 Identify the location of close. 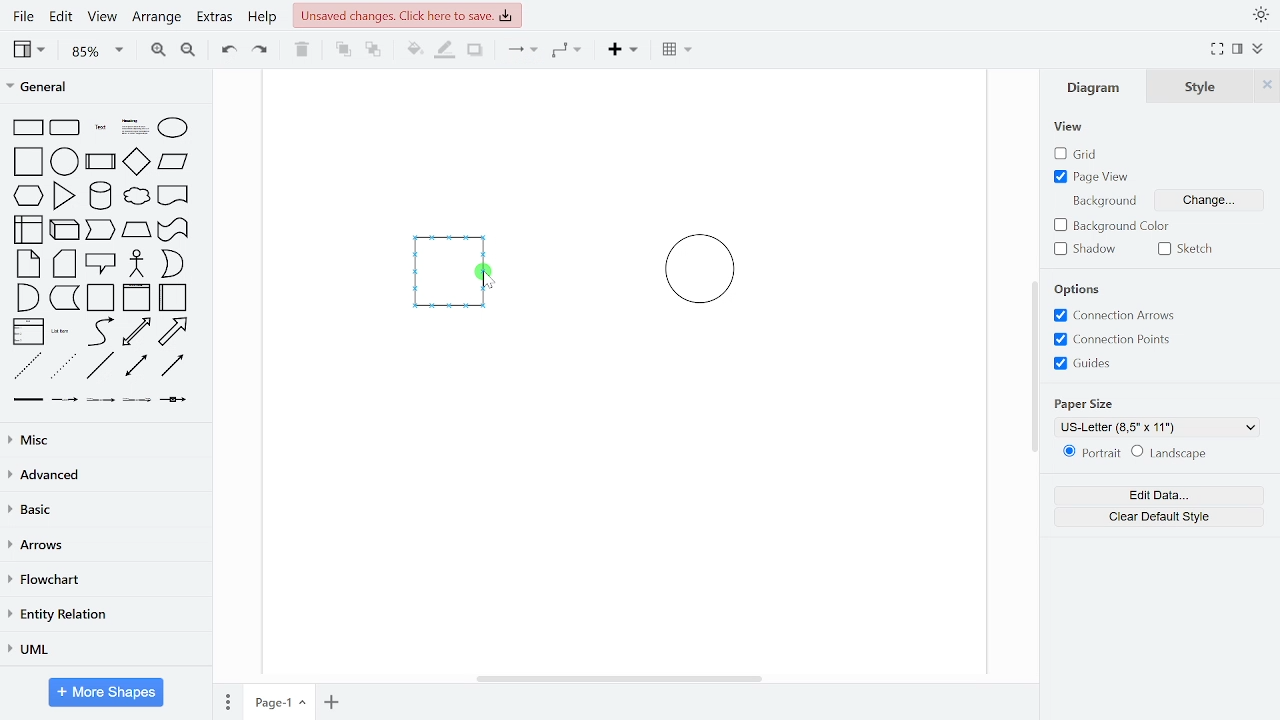
(1267, 85).